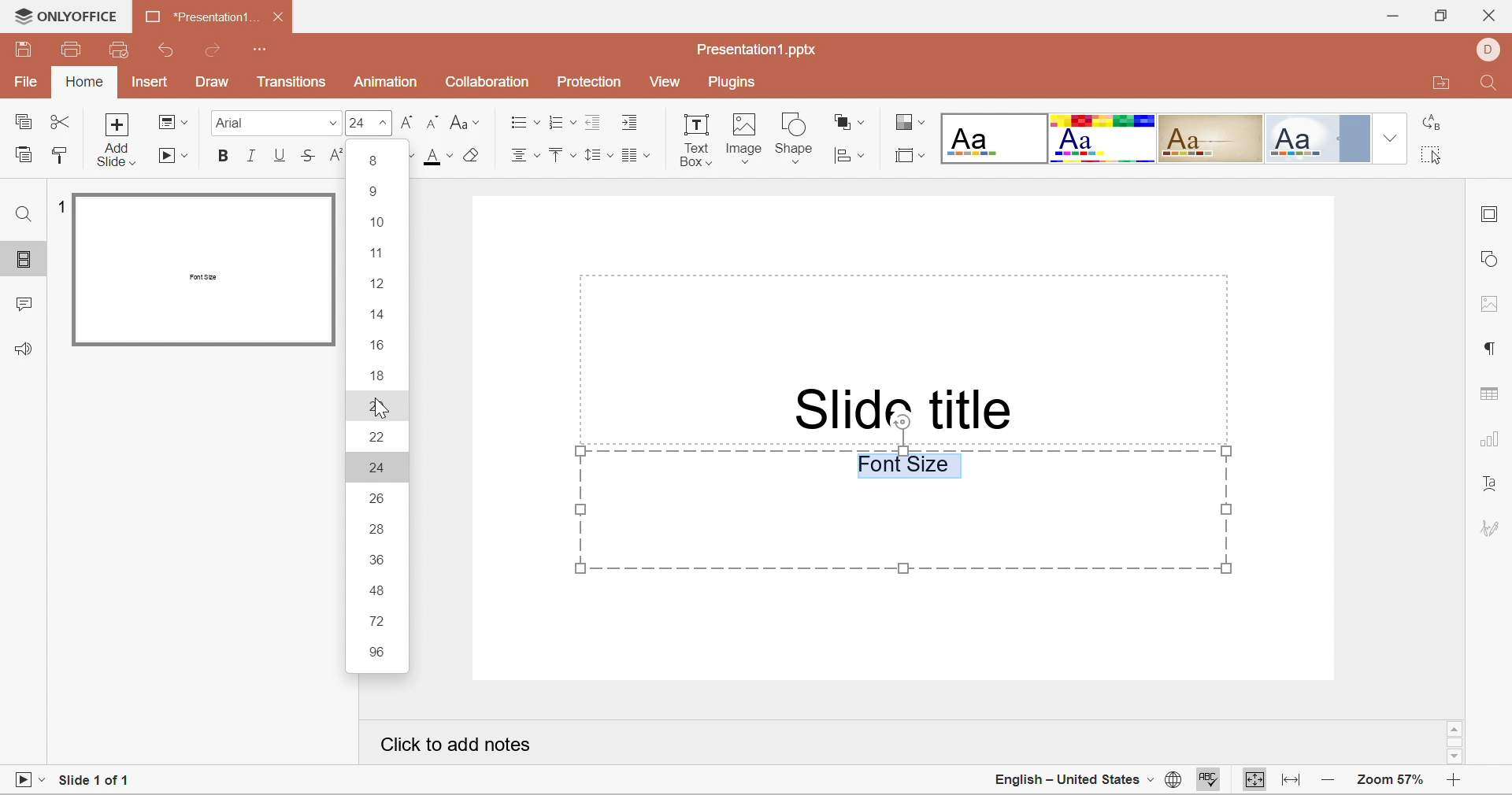 The height and width of the screenshot is (795, 1512). I want to click on Copy style, so click(61, 157).